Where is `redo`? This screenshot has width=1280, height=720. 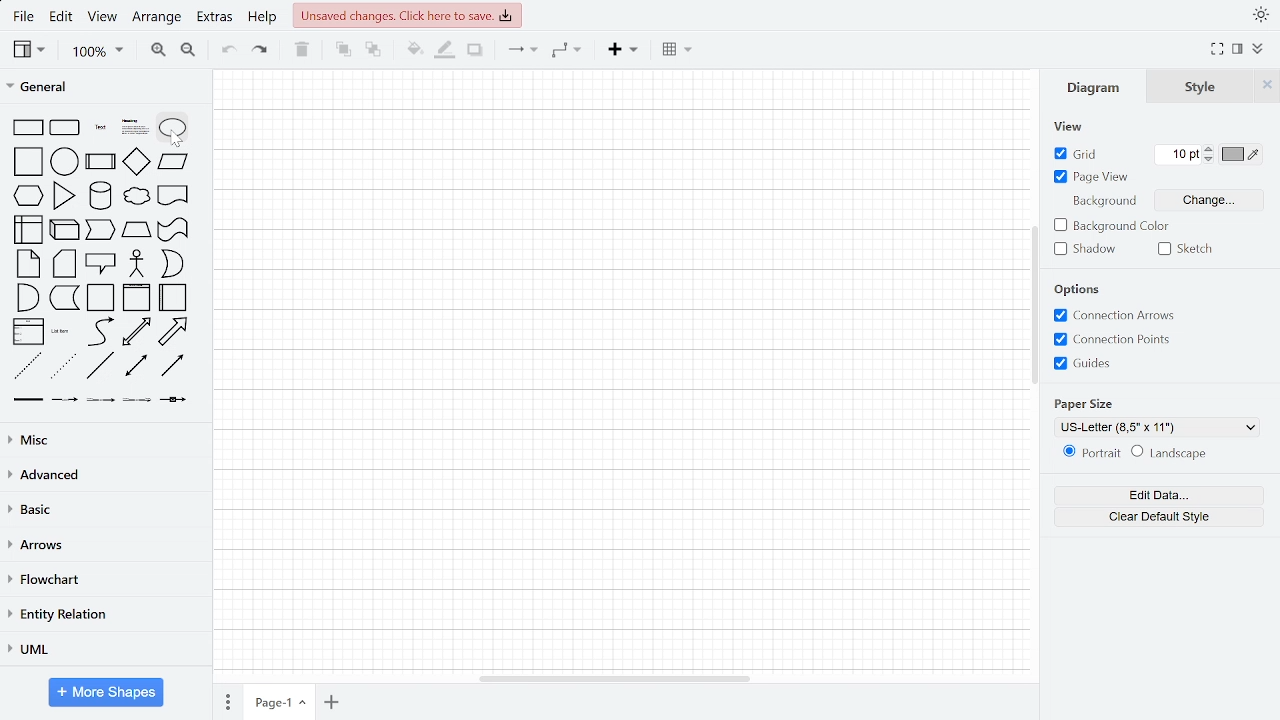
redo is located at coordinates (260, 50).